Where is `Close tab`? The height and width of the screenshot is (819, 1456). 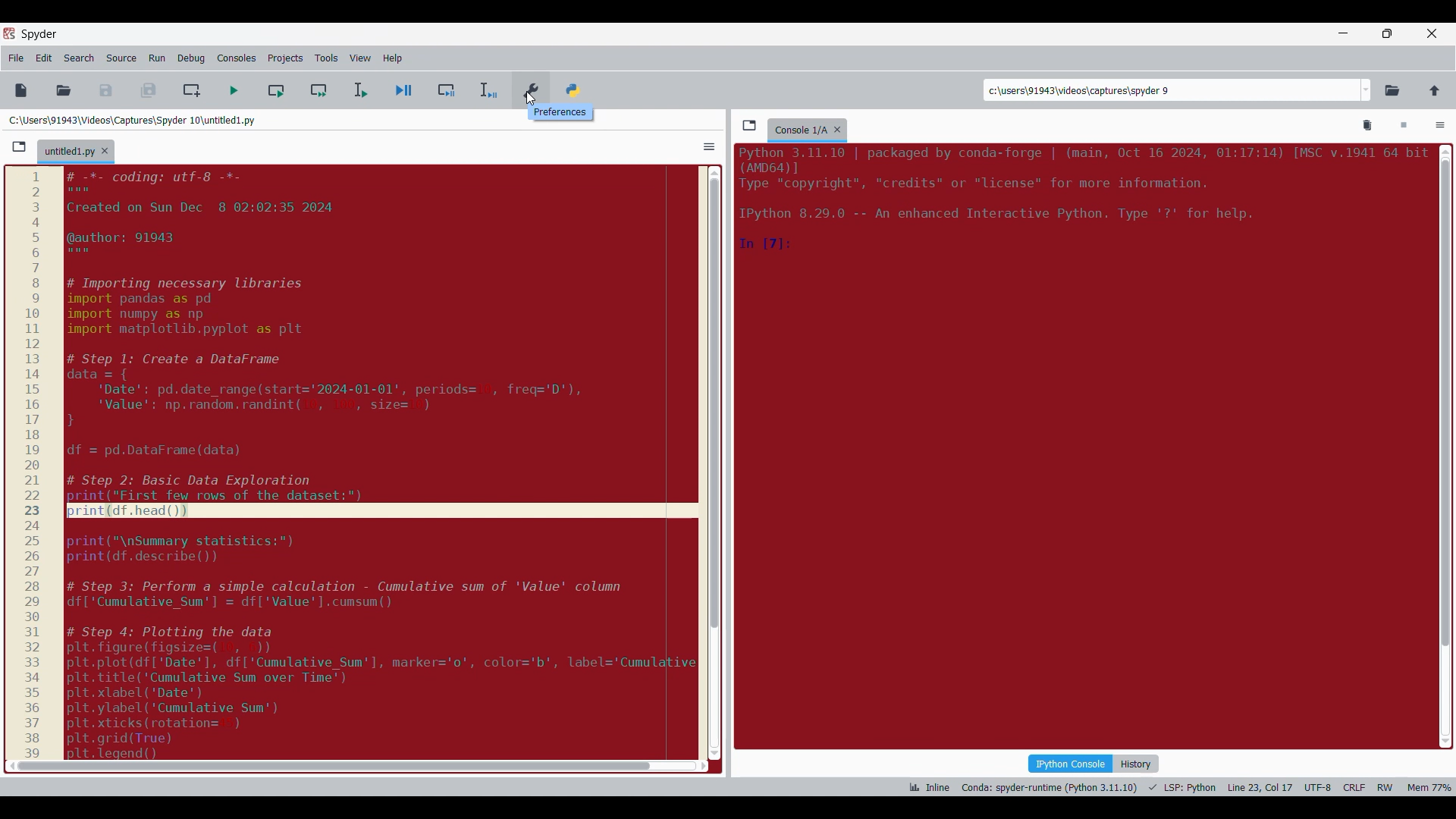
Close tab is located at coordinates (105, 151).